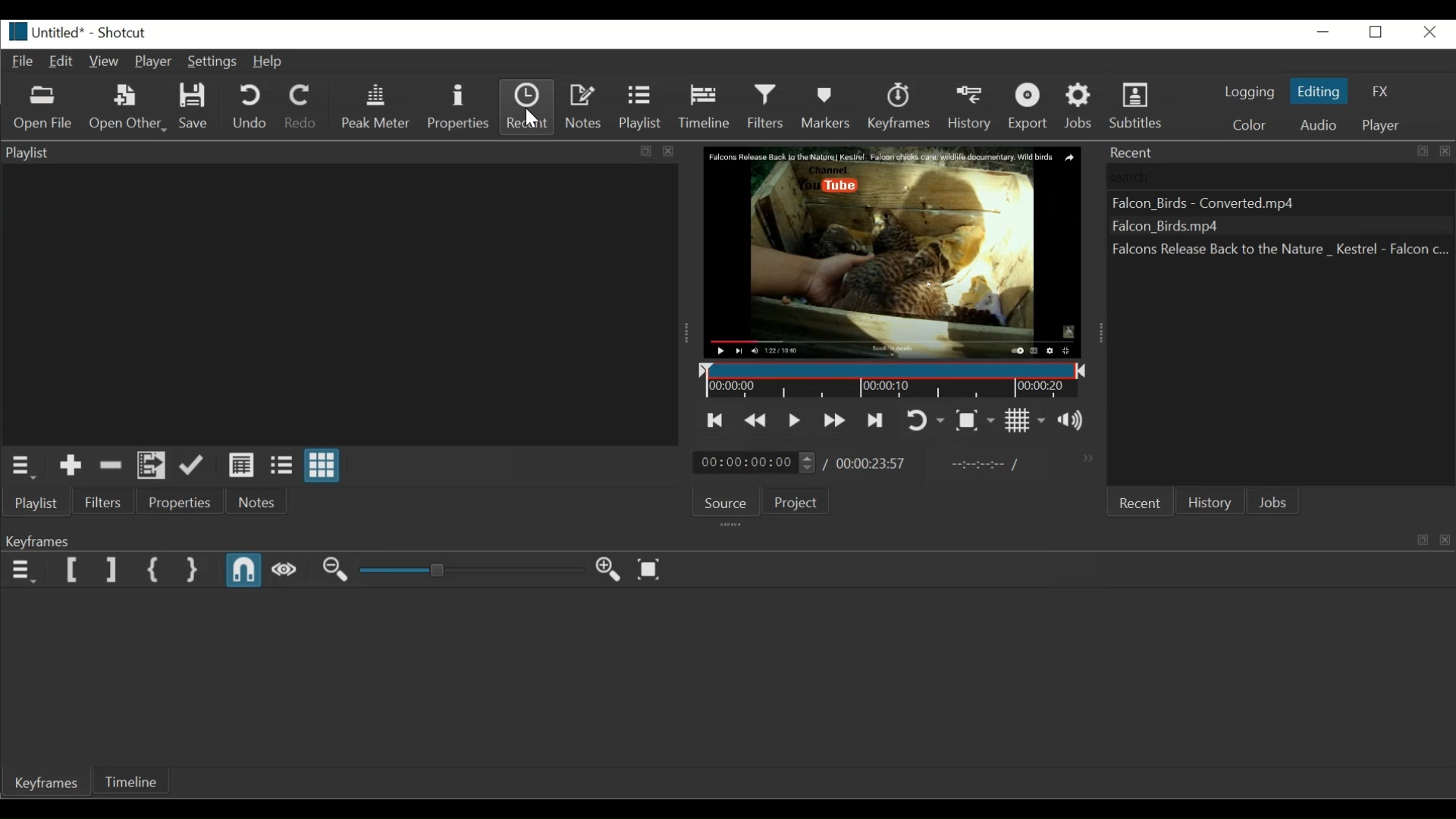 The width and height of the screenshot is (1456, 819). What do you see at coordinates (643, 108) in the screenshot?
I see `Playlist` at bounding box center [643, 108].